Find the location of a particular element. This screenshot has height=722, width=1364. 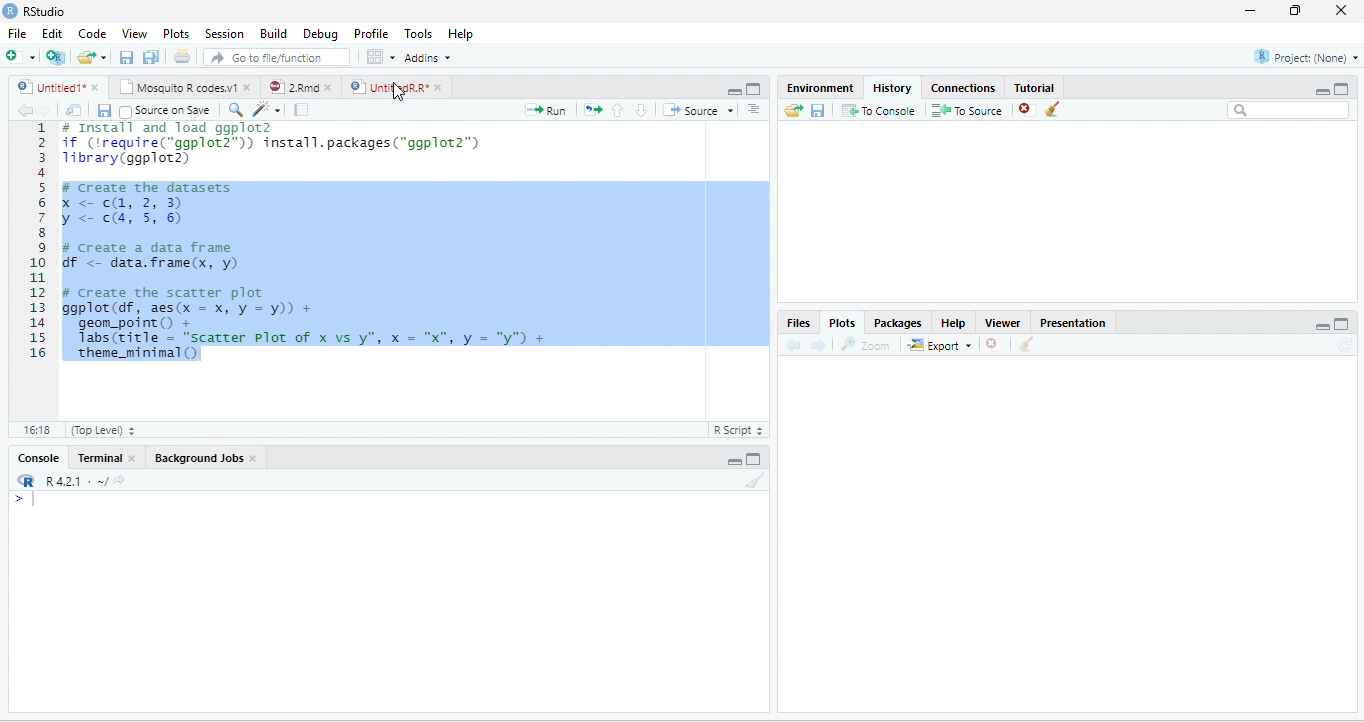

Remove current plot is located at coordinates (993, 345).